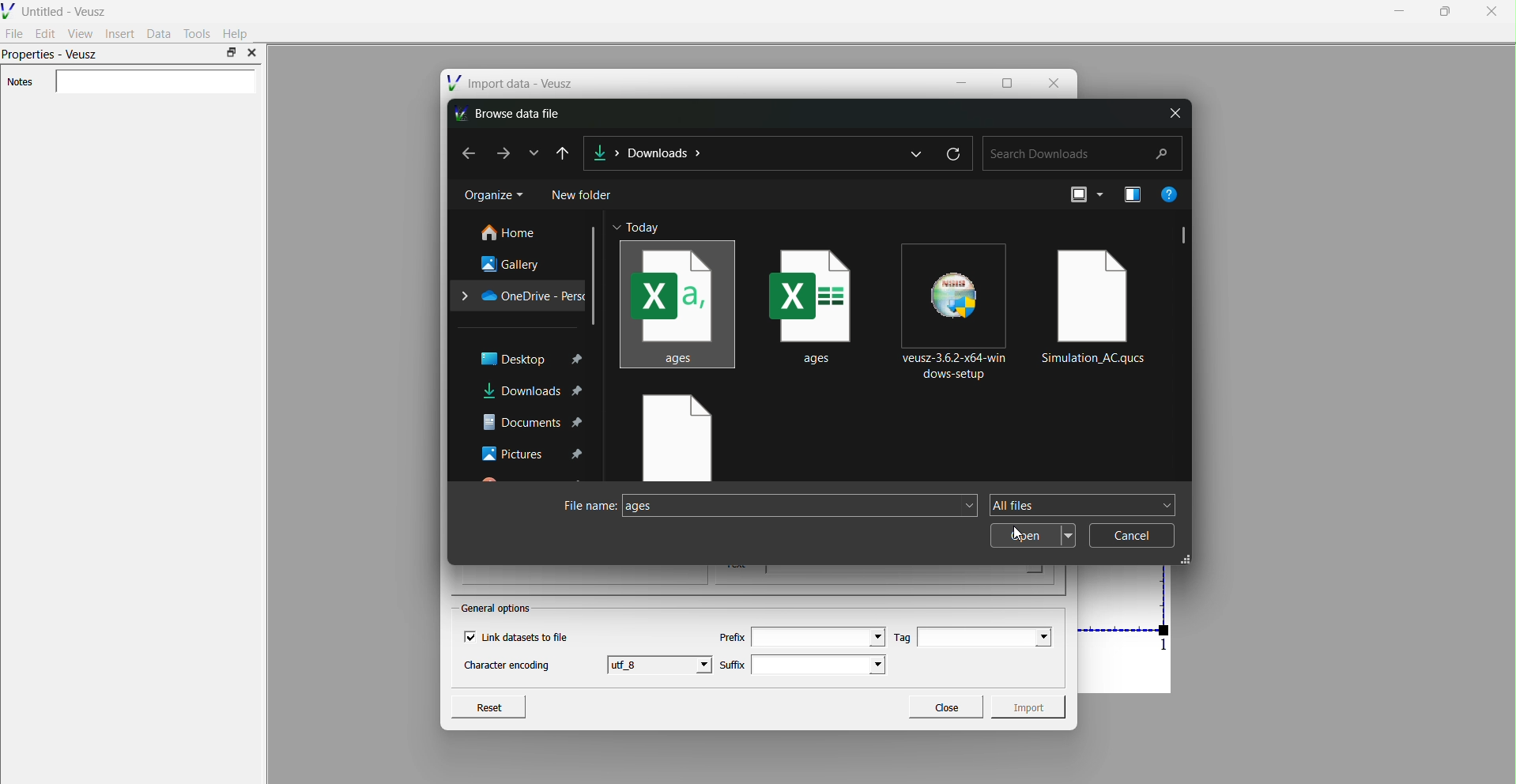 Image resolution: width=1516 pixels, height=784 pixels. What do you see at coordinates (534, 453) in the screenshot?
I see `Pictures` at bounding box center [534, 453].